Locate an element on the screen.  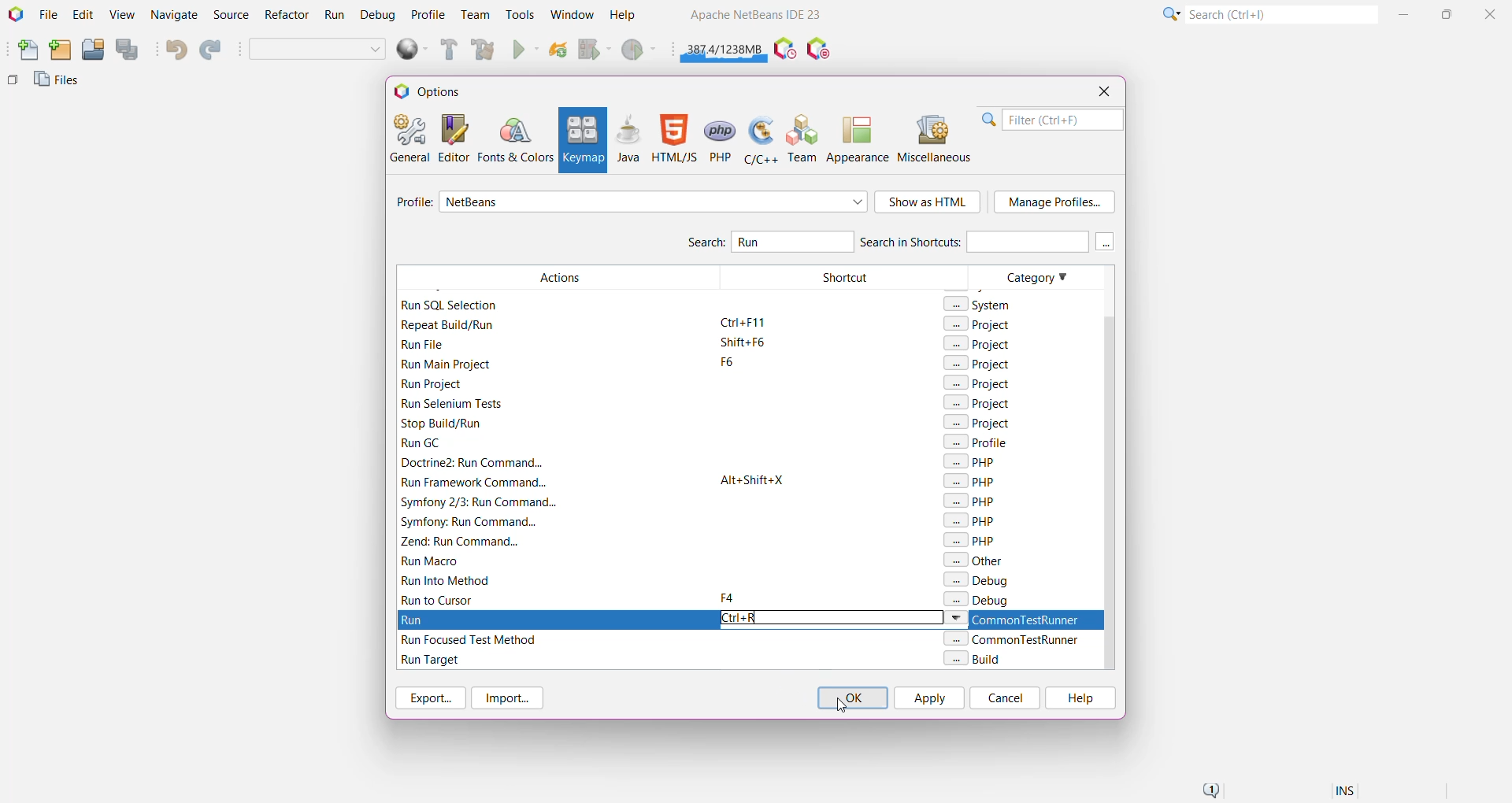
Click to force garbage collection is located at coordinates (724, 47).